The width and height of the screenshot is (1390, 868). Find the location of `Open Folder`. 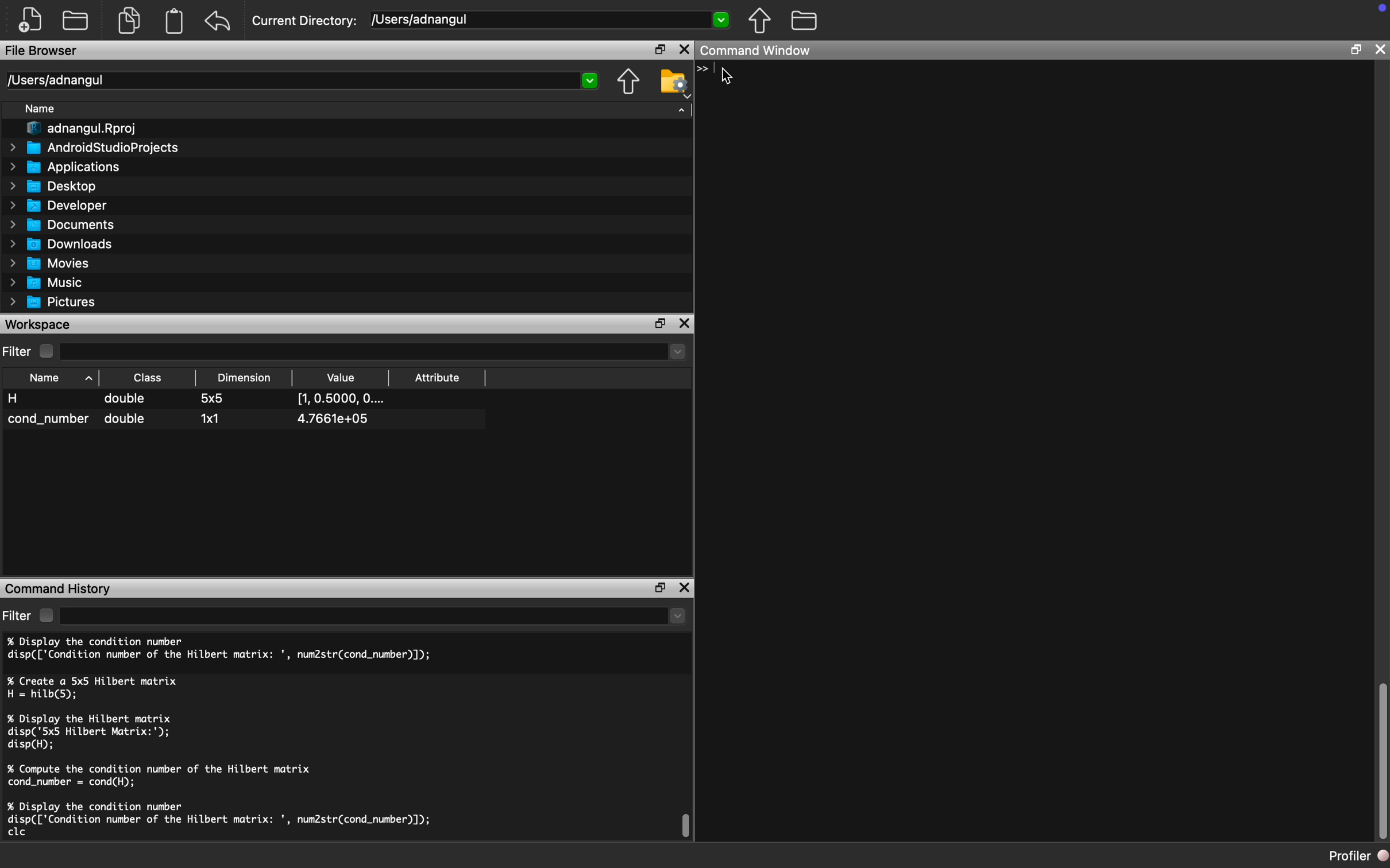

Open Folder is located at coordinates (75, 18).